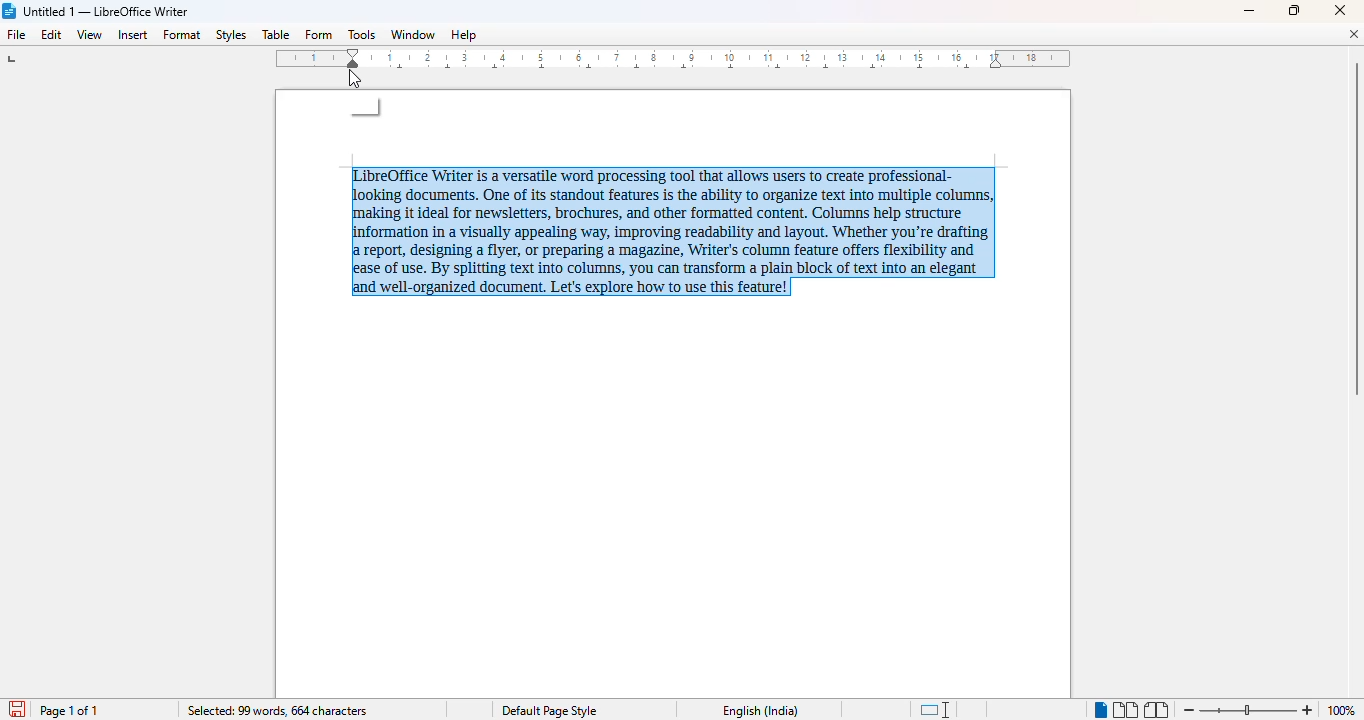 This screenshot has width=1364, height=720. I want to click on 100% (zoom level), so click(1344, 710).